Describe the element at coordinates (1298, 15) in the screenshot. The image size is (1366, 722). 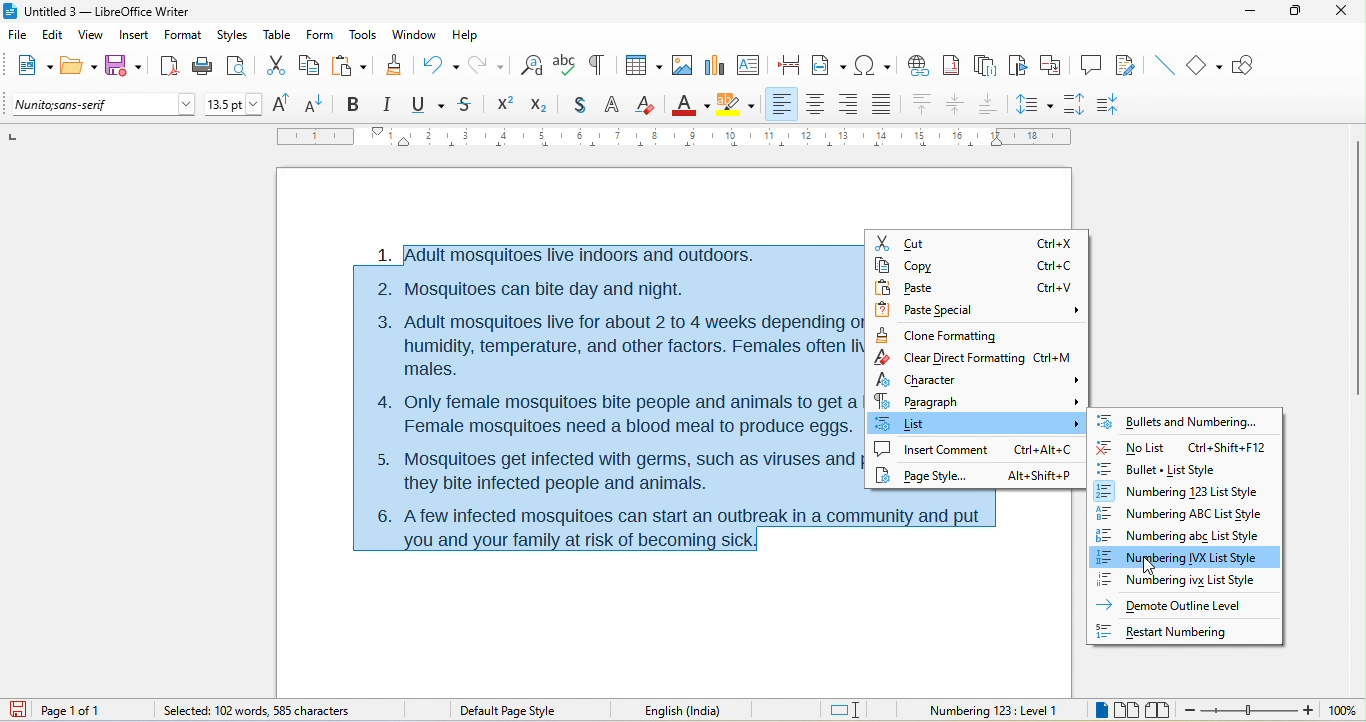
I see `maximize` at that location.